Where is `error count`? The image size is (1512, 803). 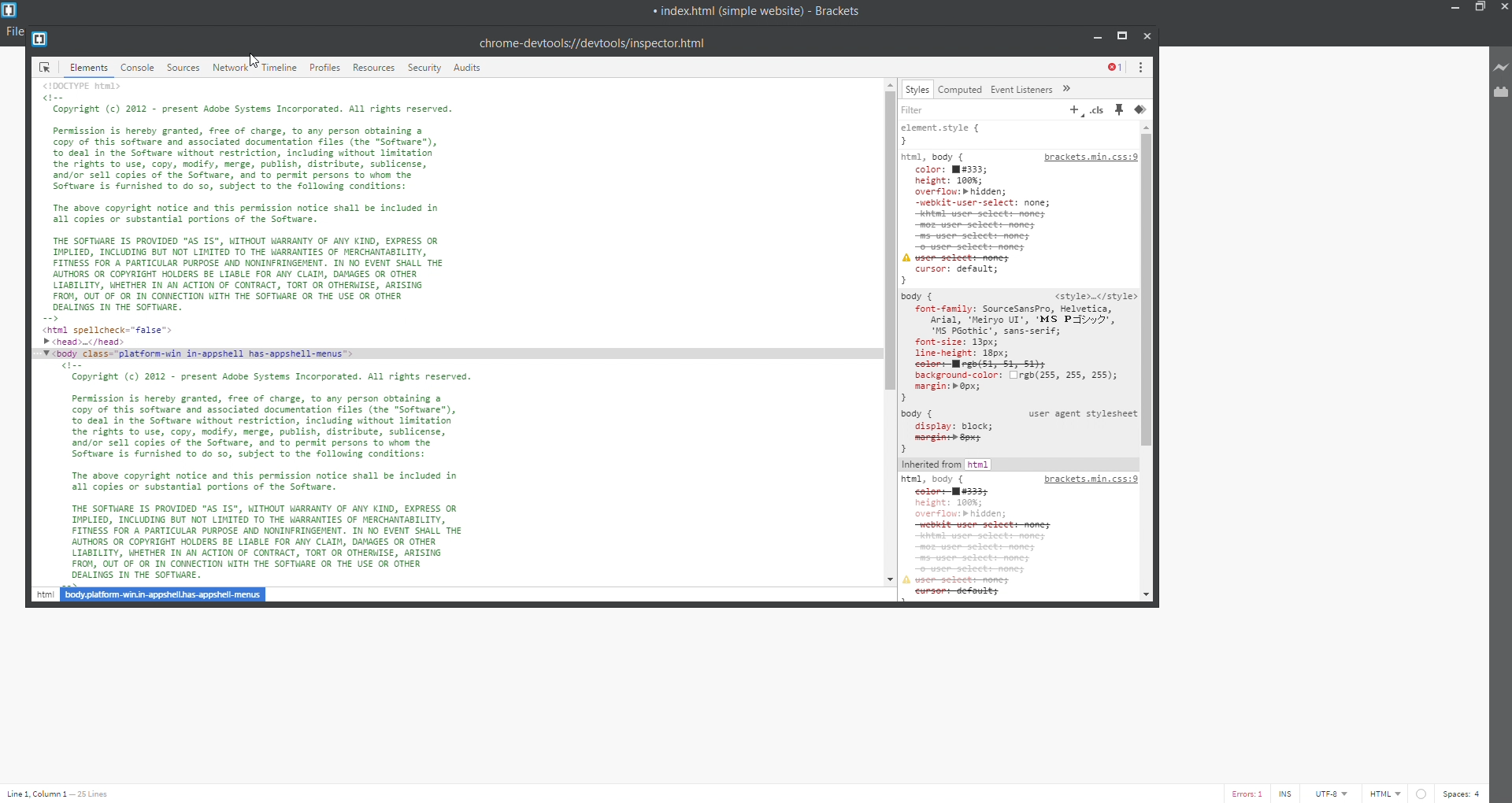
error count is located at coordinates (1240, 794).